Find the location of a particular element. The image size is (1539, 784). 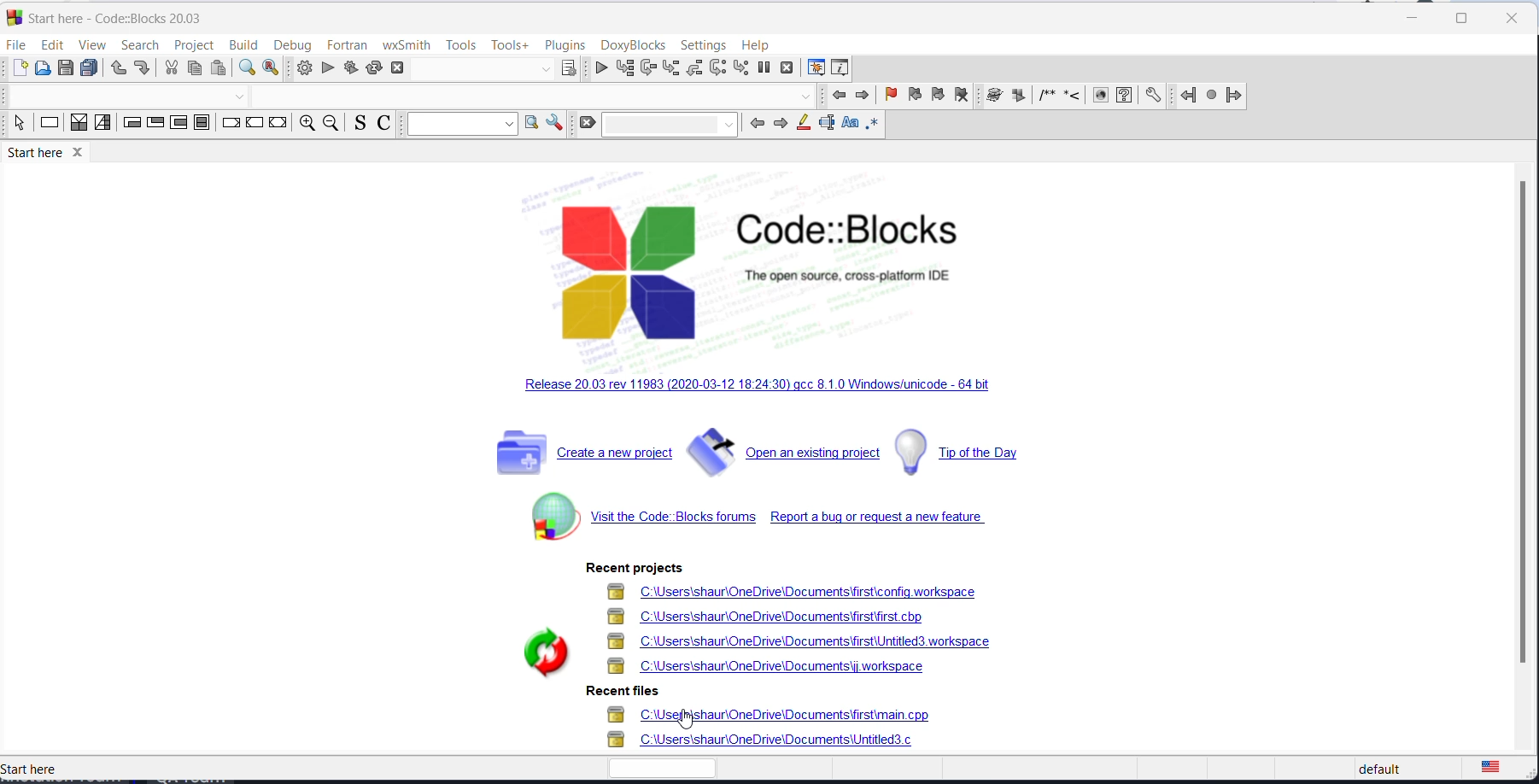

STEP OUT is located at coordinates (696, 70).